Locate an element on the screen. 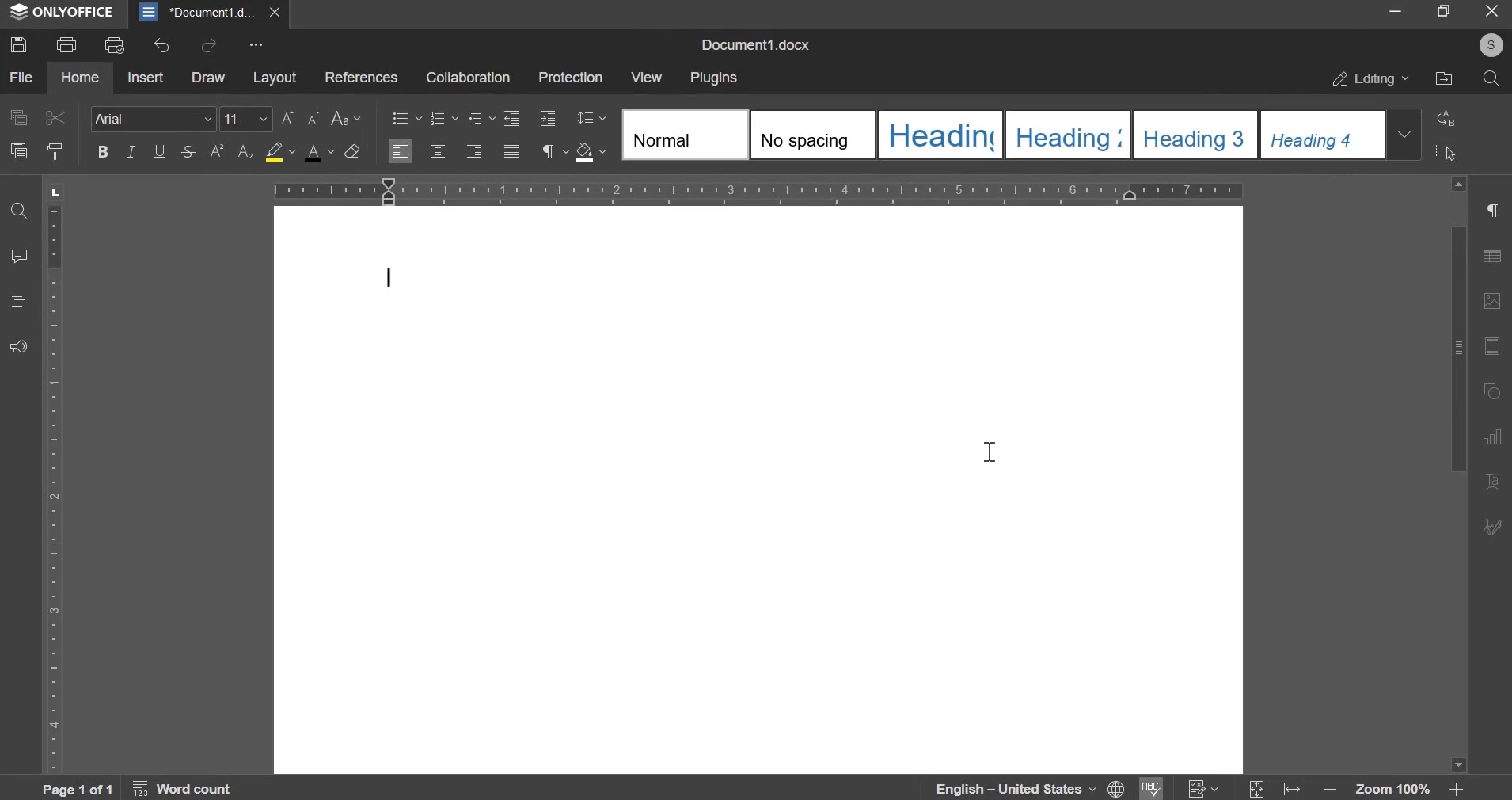 This screenshot has height=800, width=1512. editing is located at coordinates (1374, 82).